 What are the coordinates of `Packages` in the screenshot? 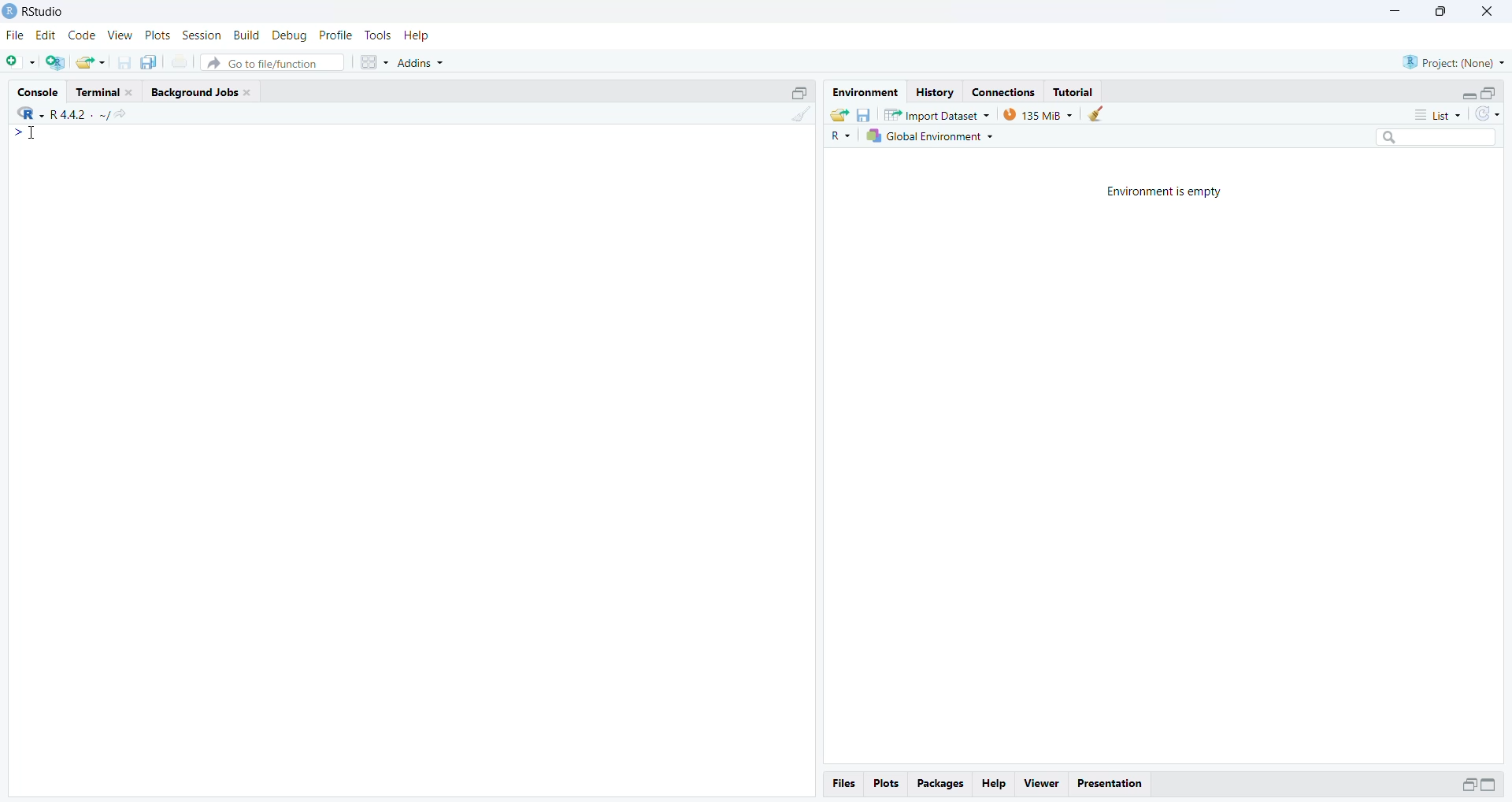 It's located at (941, 785).